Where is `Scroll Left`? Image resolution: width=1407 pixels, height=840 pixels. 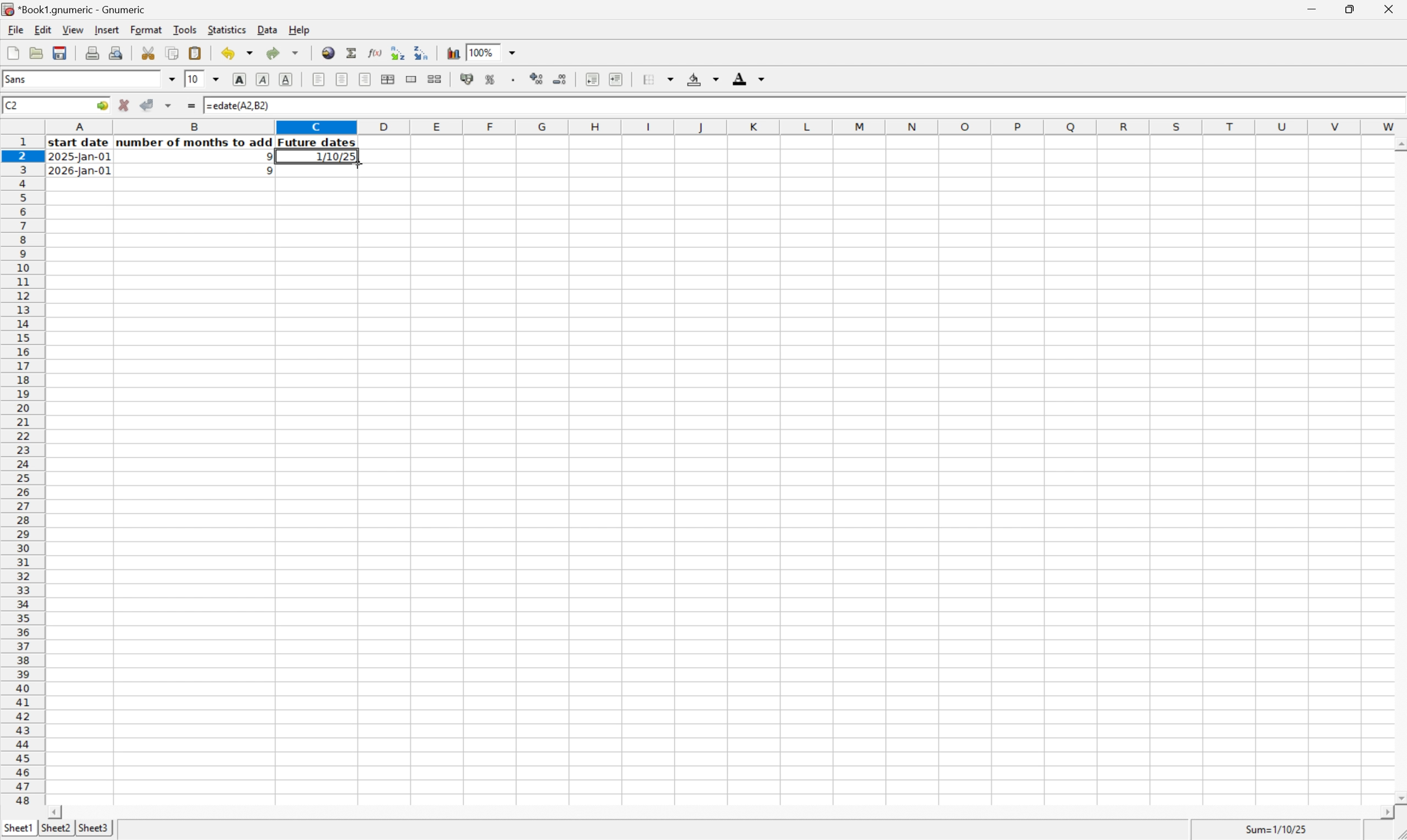
Scroll Left is located at coordinates (57, 811).